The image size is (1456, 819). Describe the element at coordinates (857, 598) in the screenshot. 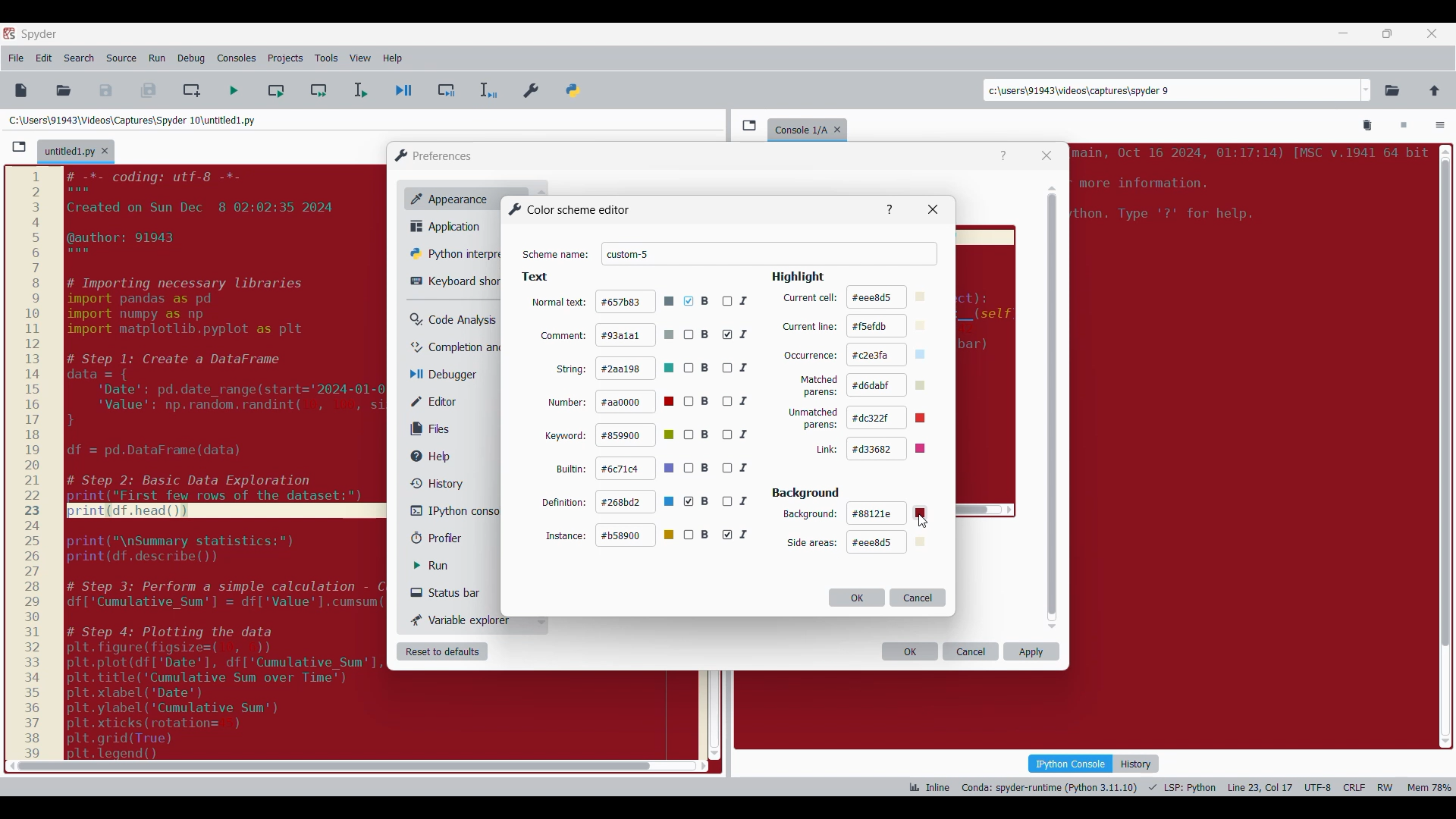

I see `OK` at that location.